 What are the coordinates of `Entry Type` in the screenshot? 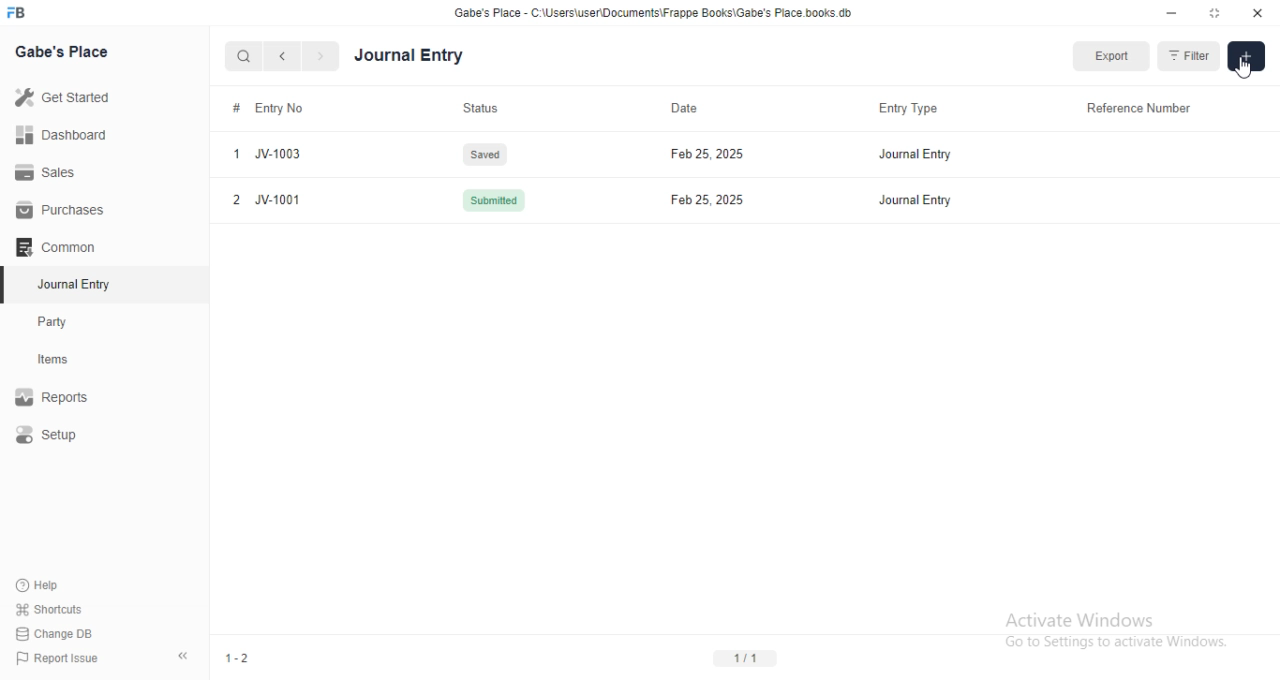 It's located at (911, 107).